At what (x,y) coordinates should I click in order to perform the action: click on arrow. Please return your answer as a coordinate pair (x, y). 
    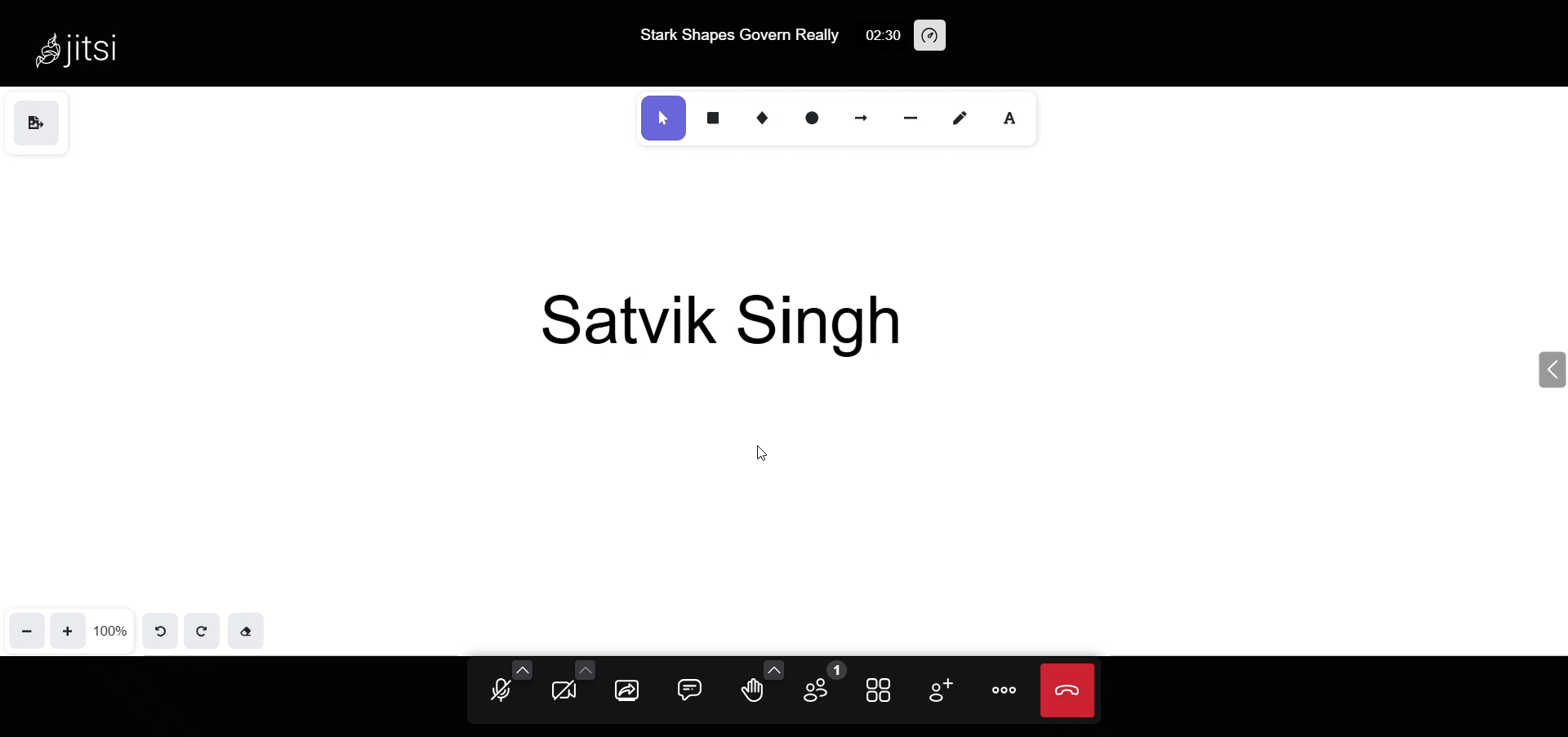
    Looking at the image, I should click on (862, 116).